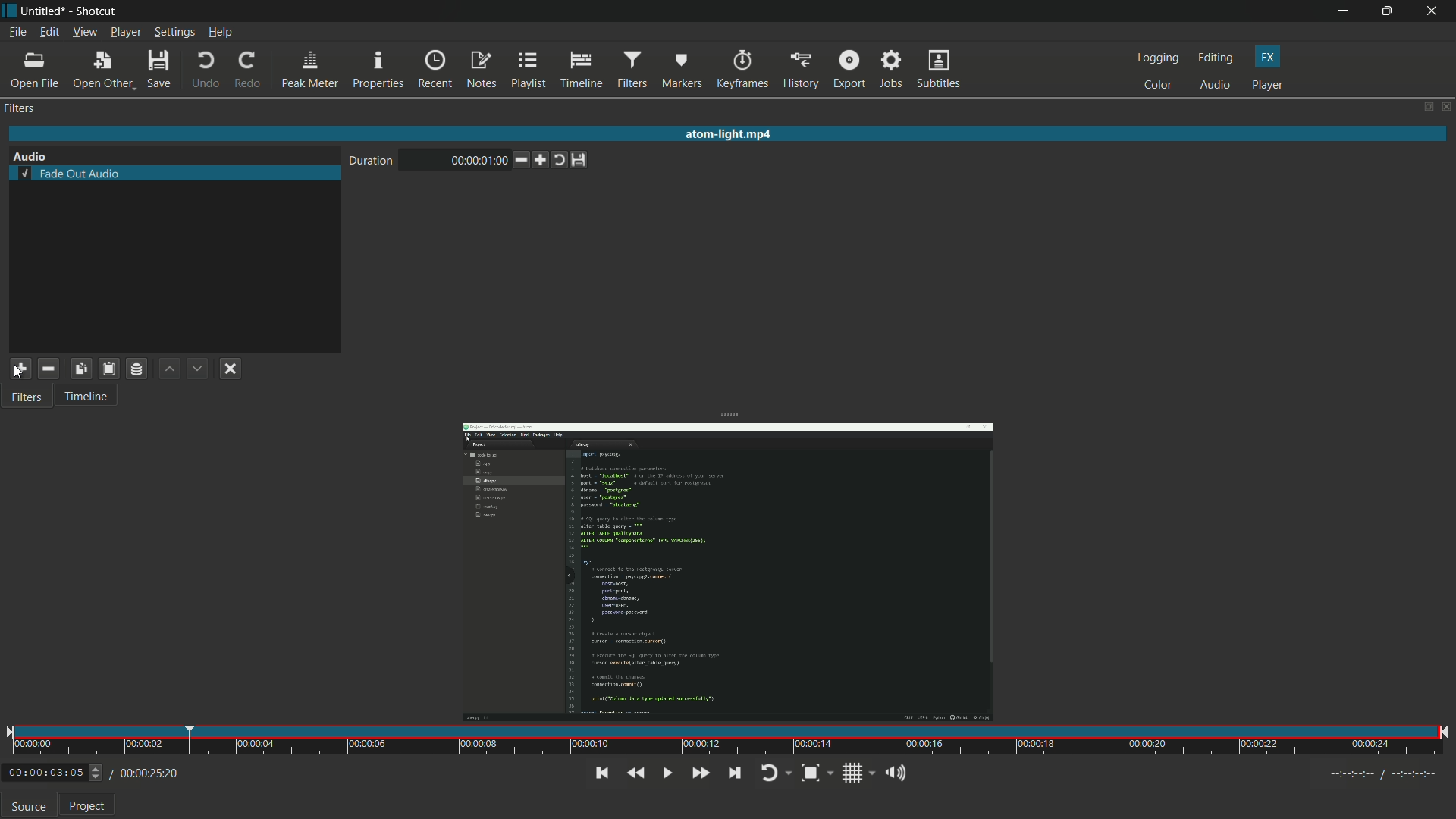 Image resolution: width=1456 pixels, height=819 pixels. What do you see at coordinates (88, 808) in the screenshot?
I see `project` at bounding box center [88, 808].